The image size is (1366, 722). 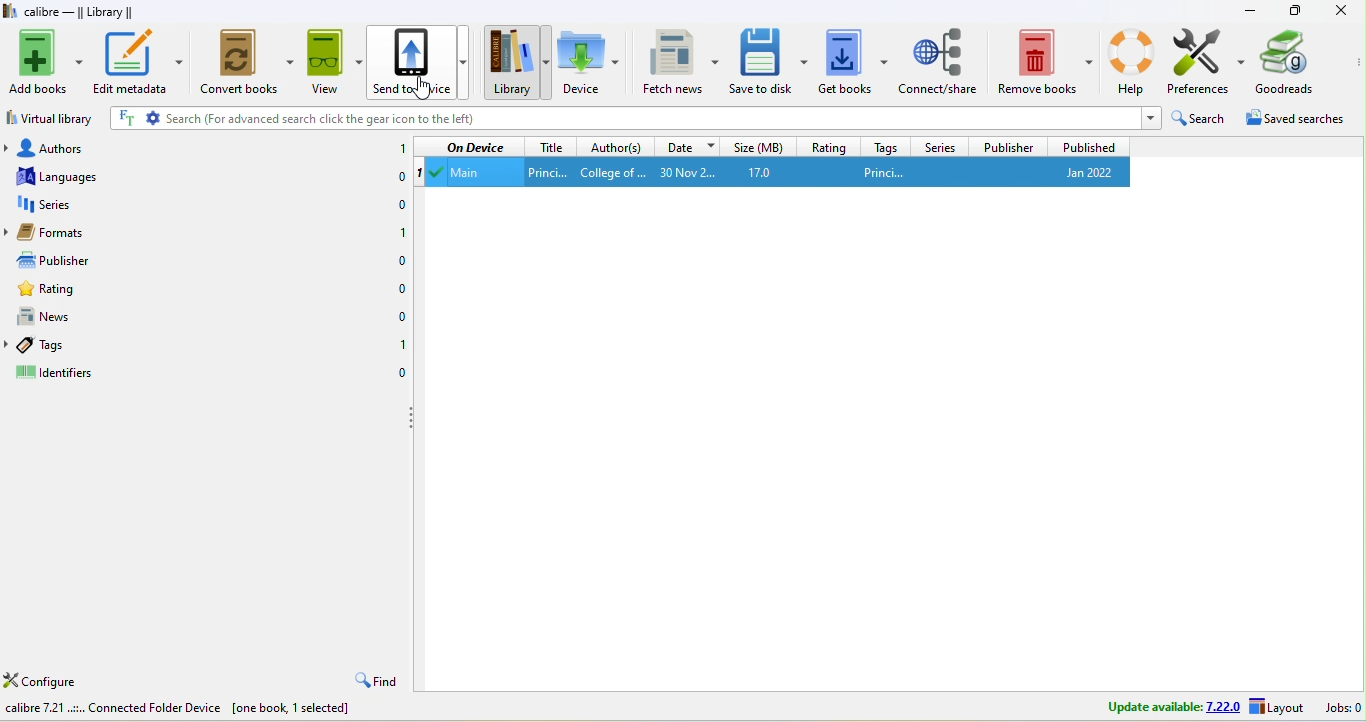 I want to click on formats, so click(x=164, y=233).